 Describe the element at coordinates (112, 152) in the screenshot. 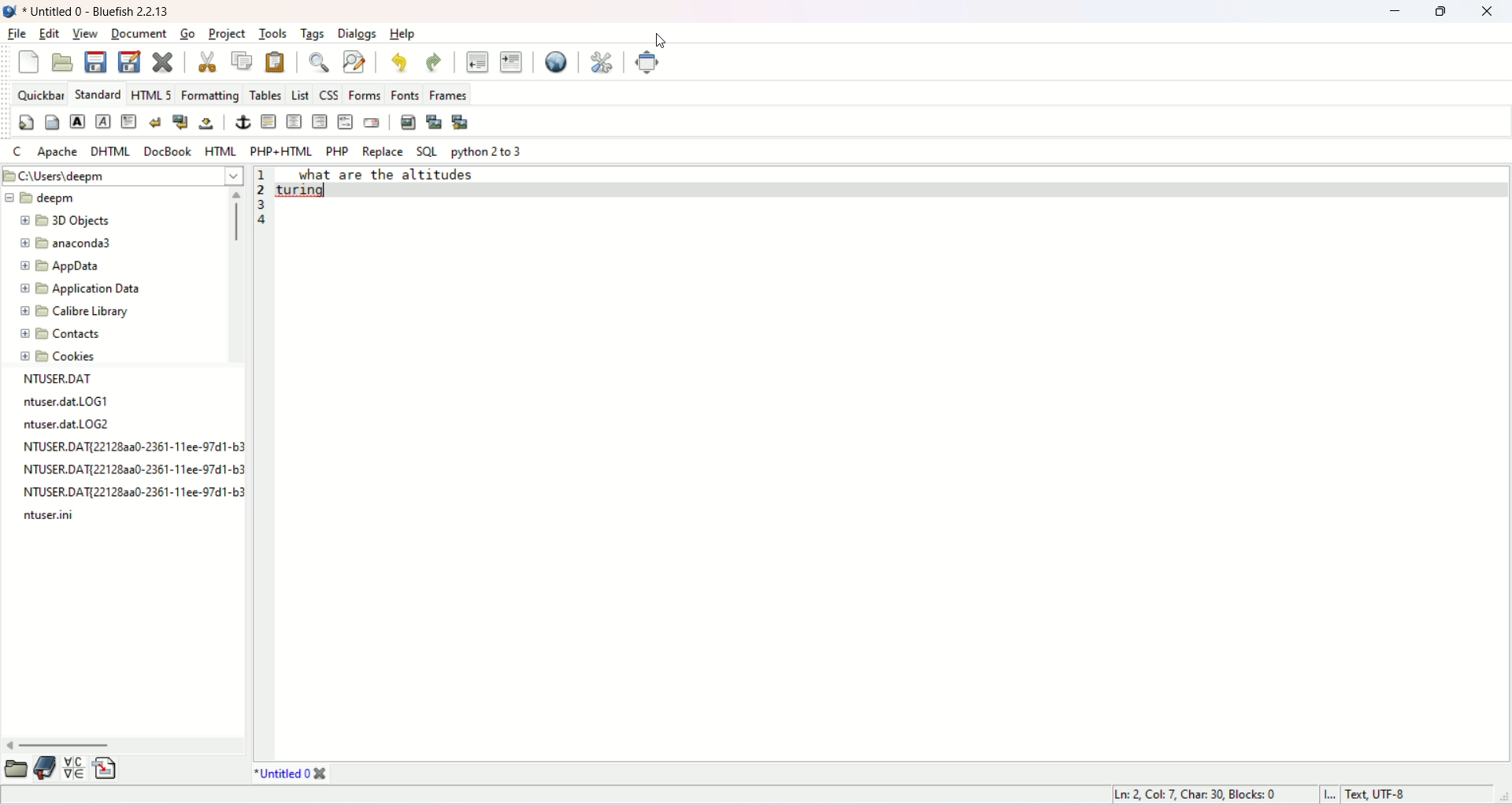

I see `DHTML` at that location.